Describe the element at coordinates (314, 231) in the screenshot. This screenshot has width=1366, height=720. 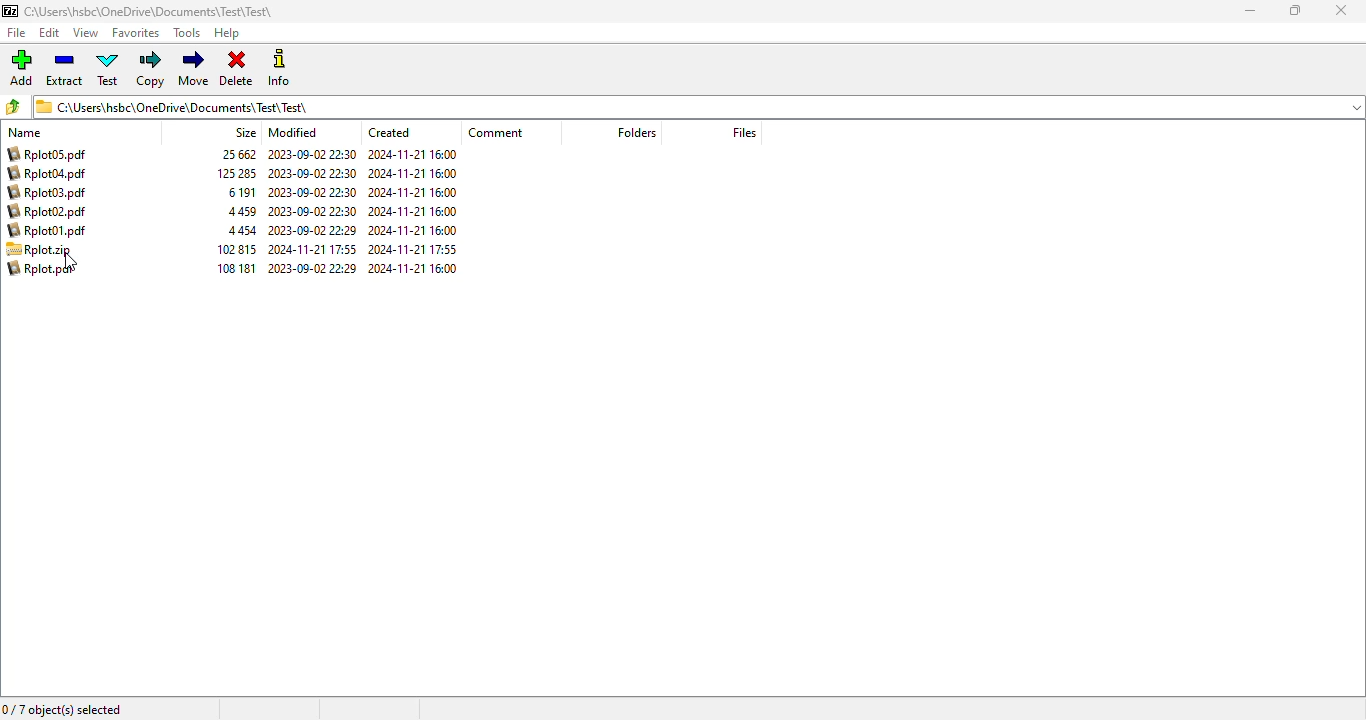
I see `2023-09-02 22:29` at that location.